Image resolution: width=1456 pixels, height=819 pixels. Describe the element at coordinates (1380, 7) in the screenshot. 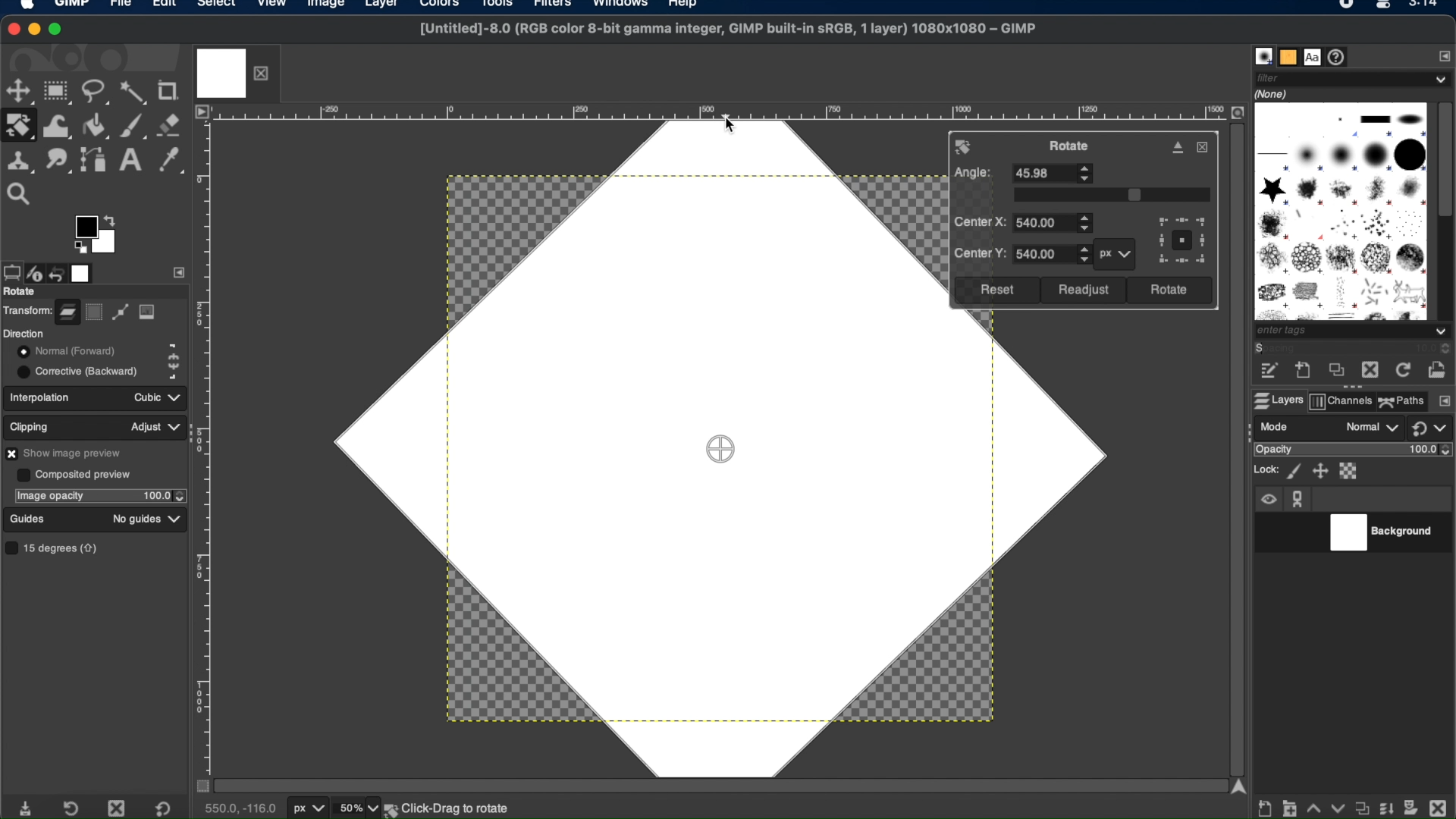

I see `Mac control center` at that location.